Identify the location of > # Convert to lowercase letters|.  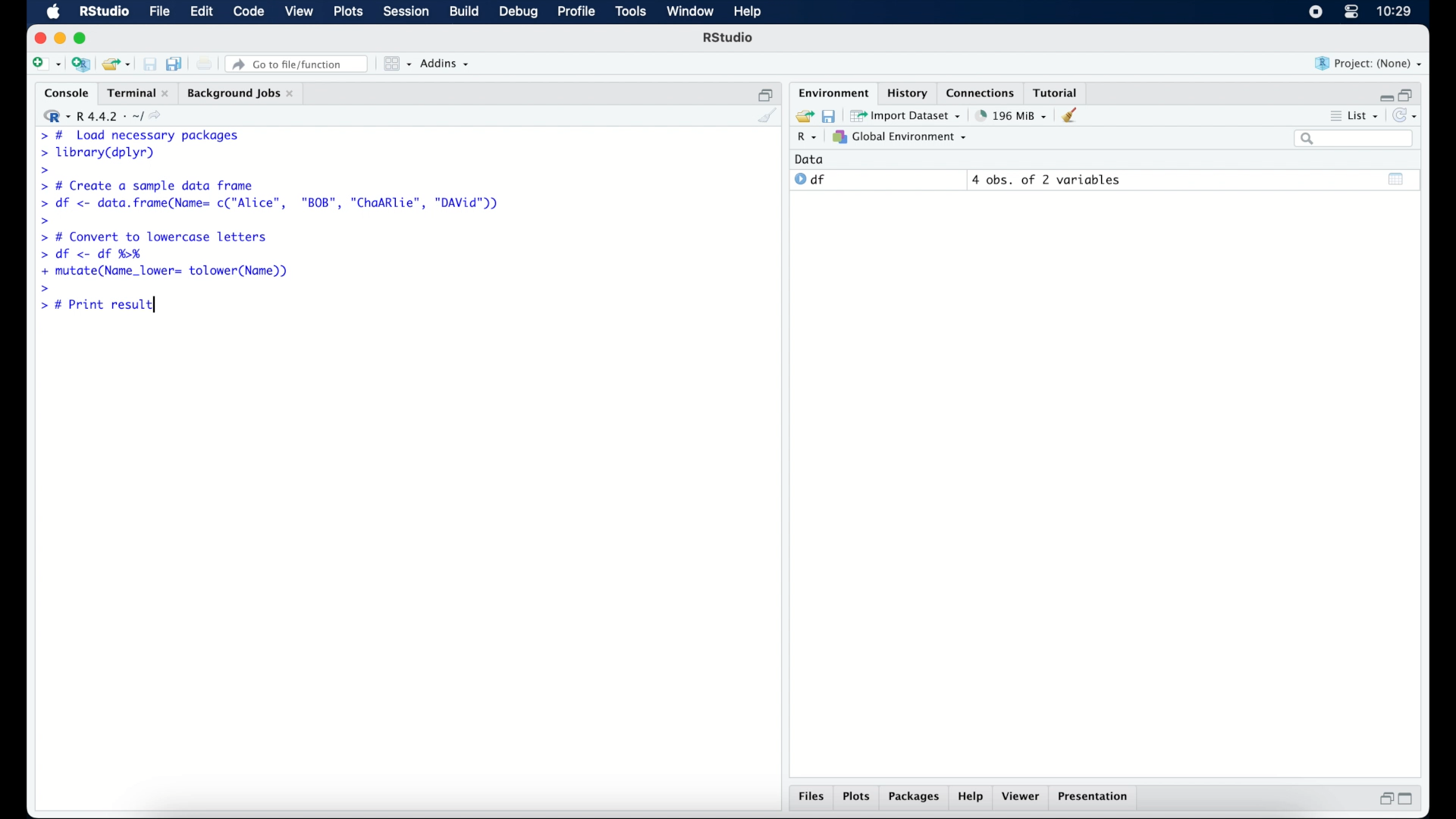
(155, 237).